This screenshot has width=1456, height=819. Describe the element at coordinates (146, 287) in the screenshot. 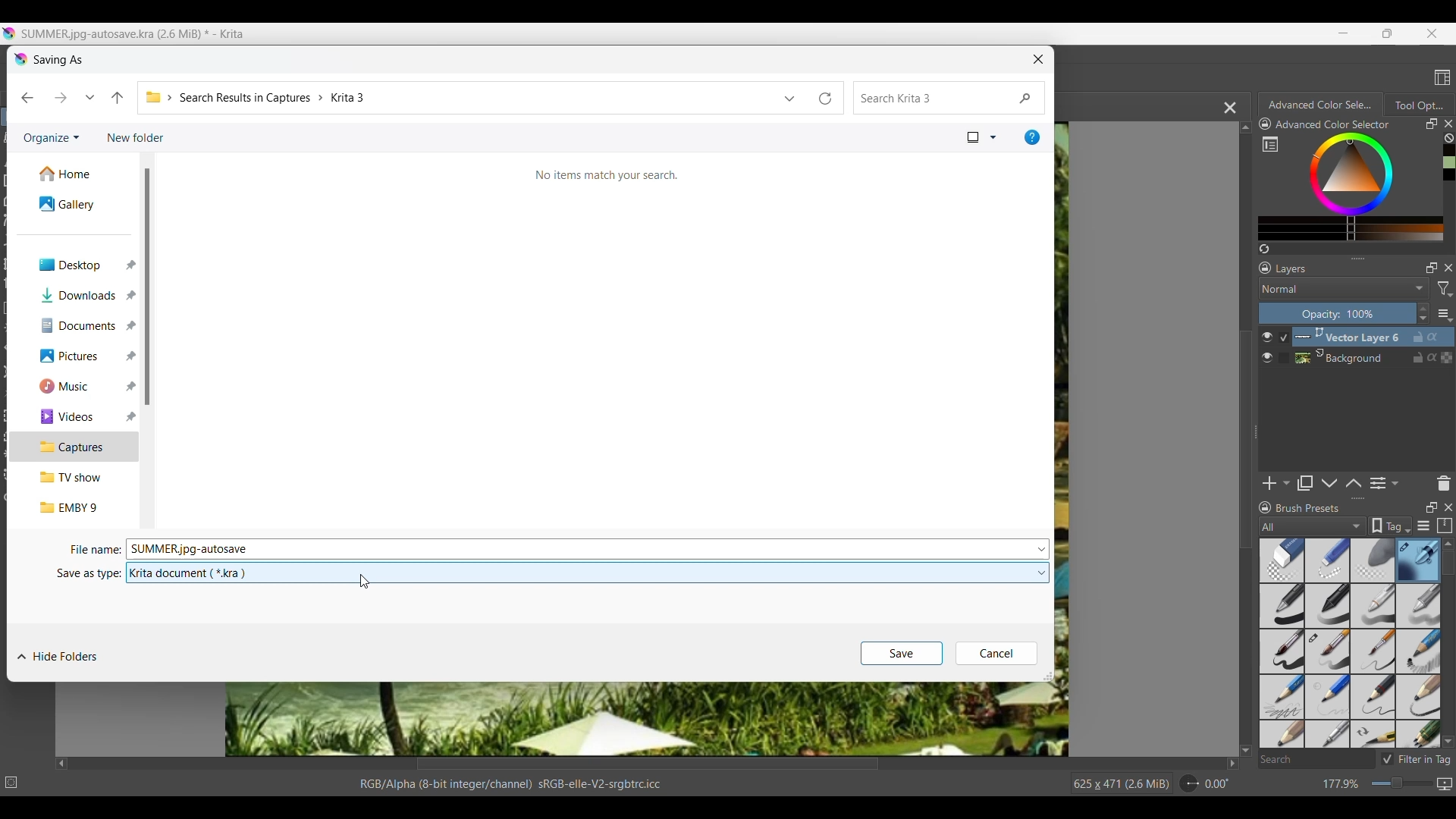

I see `Vertical slide bar for left panel` at that location.